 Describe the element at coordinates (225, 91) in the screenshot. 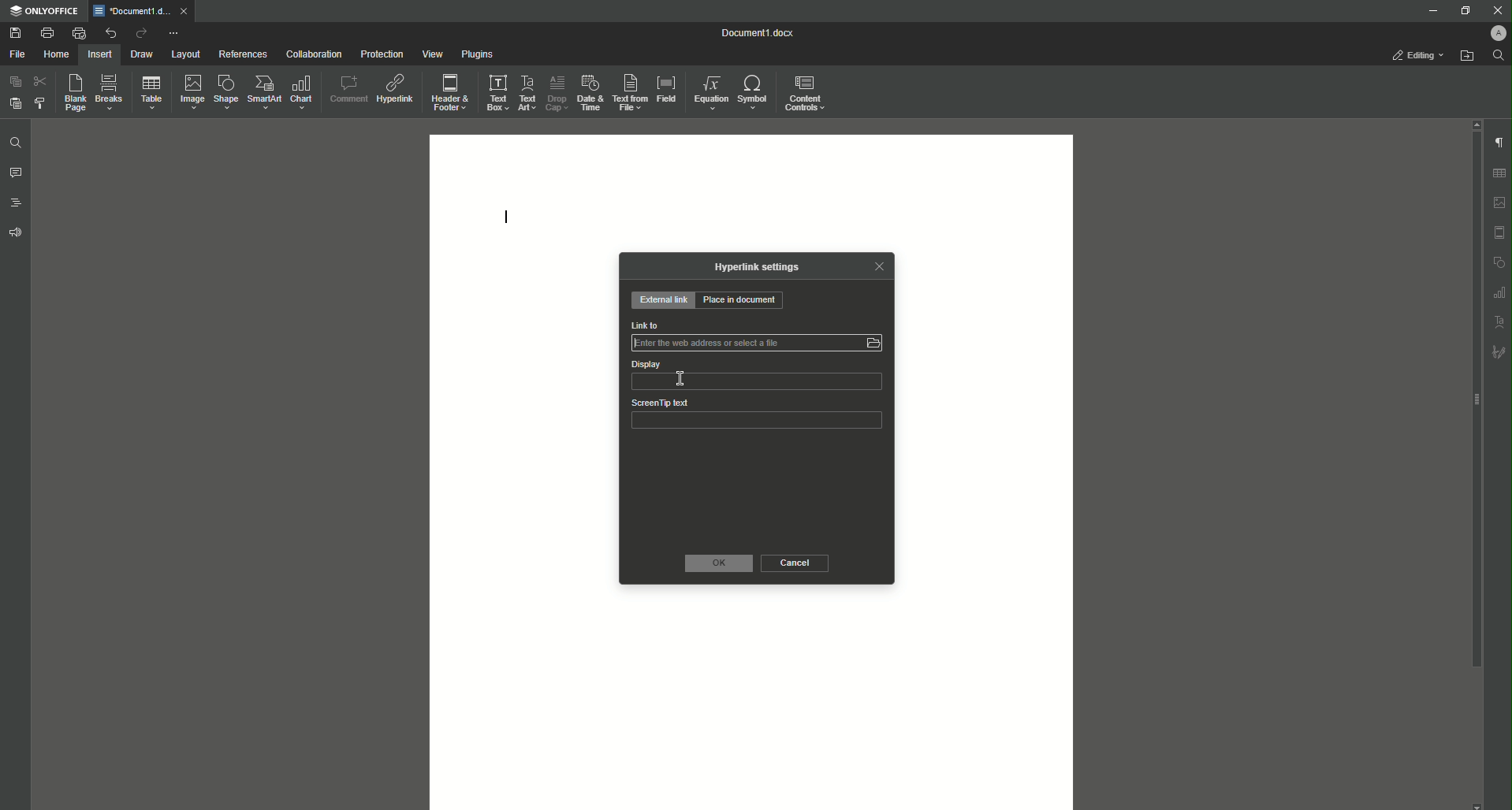

I see `Shape` at that location.